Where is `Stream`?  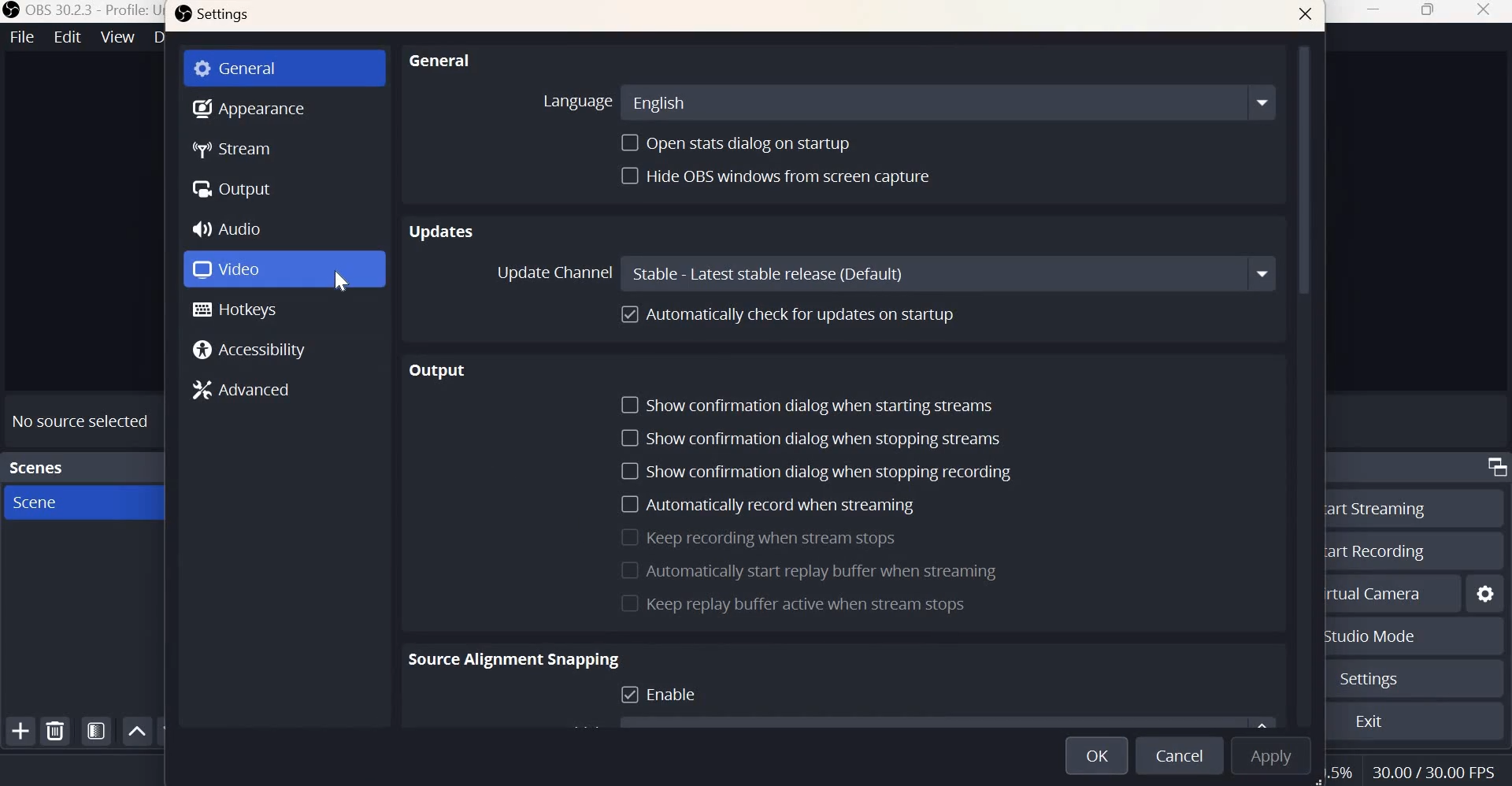 Stream is located at coordinates (235, 150).